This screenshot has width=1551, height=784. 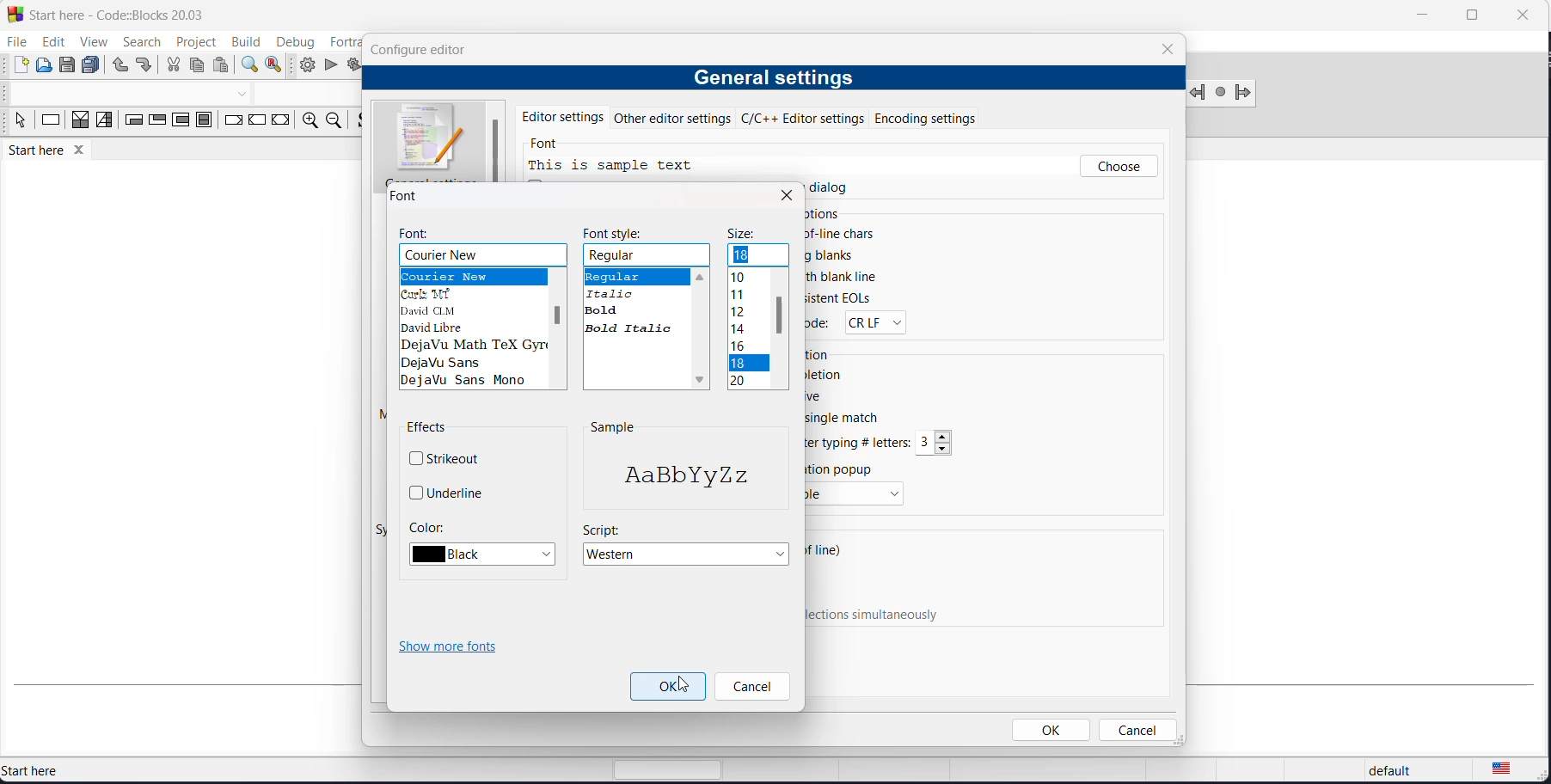 I want to click on copy, so click(x=199, y=67).